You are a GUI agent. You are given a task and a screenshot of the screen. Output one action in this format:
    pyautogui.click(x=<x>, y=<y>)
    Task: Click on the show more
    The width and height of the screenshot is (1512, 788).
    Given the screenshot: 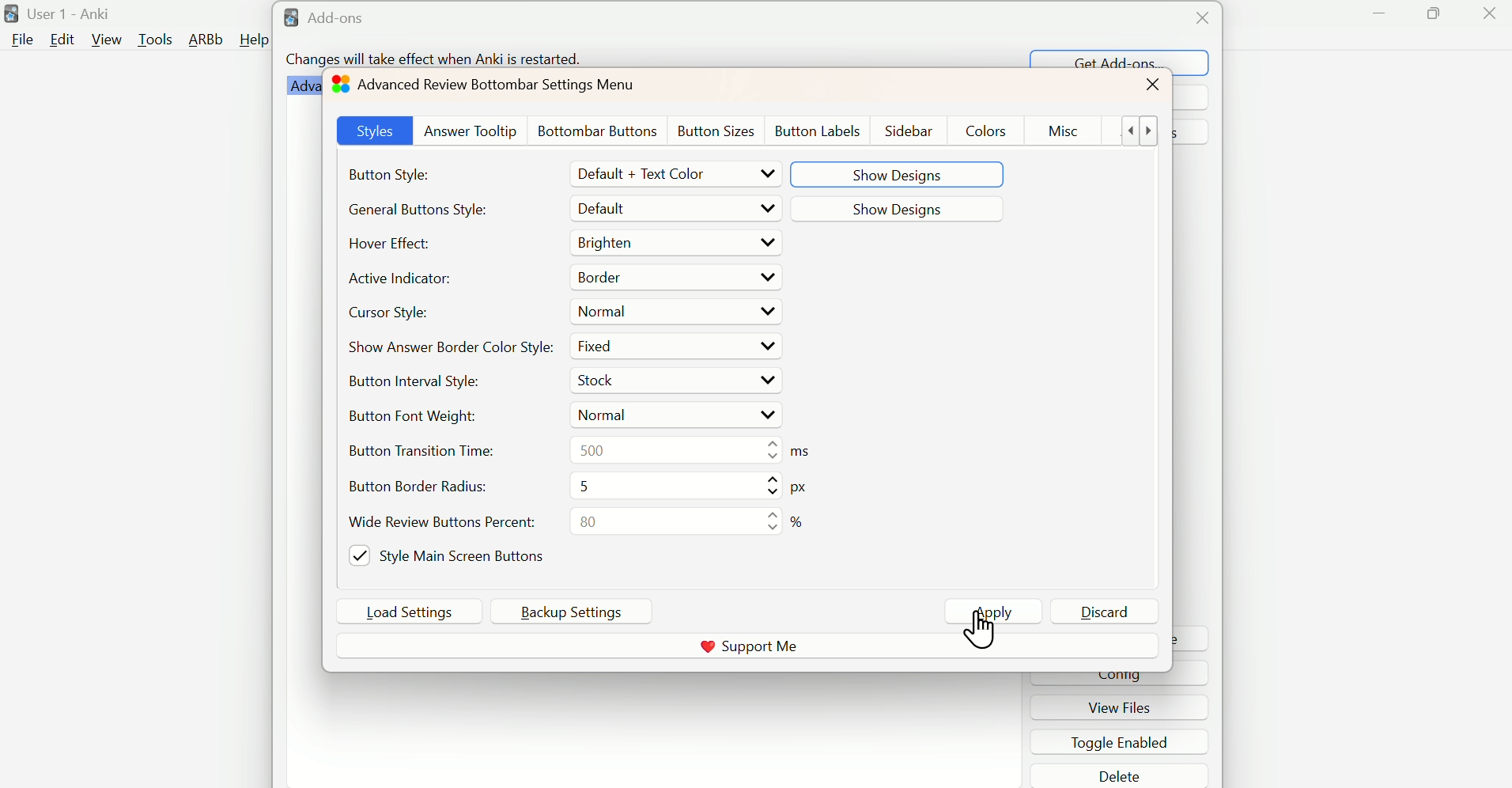 What is the action you would take?
    pyautogui.click(x=1146, y=134)
    